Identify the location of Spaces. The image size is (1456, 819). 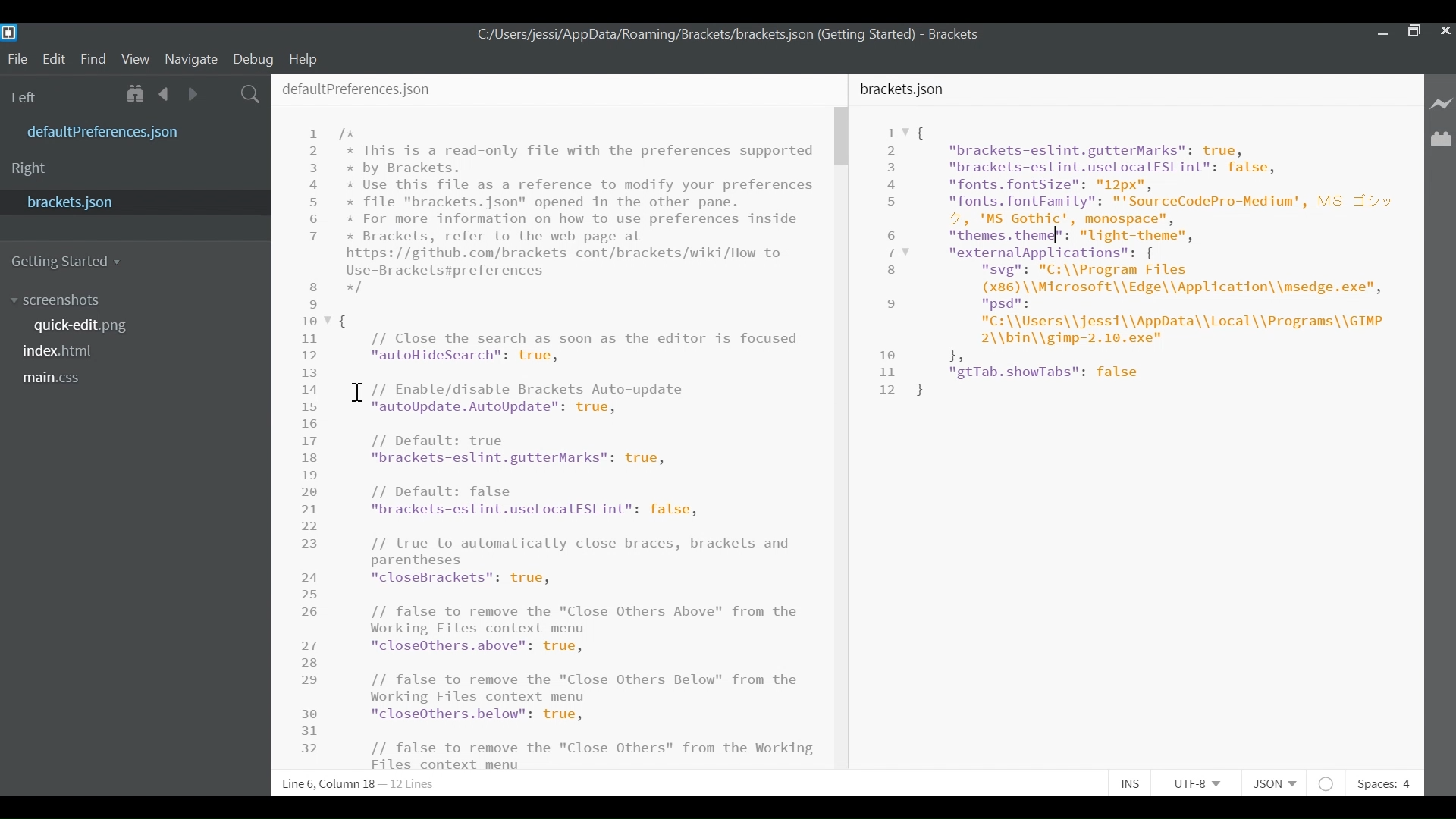
(1387, 783).